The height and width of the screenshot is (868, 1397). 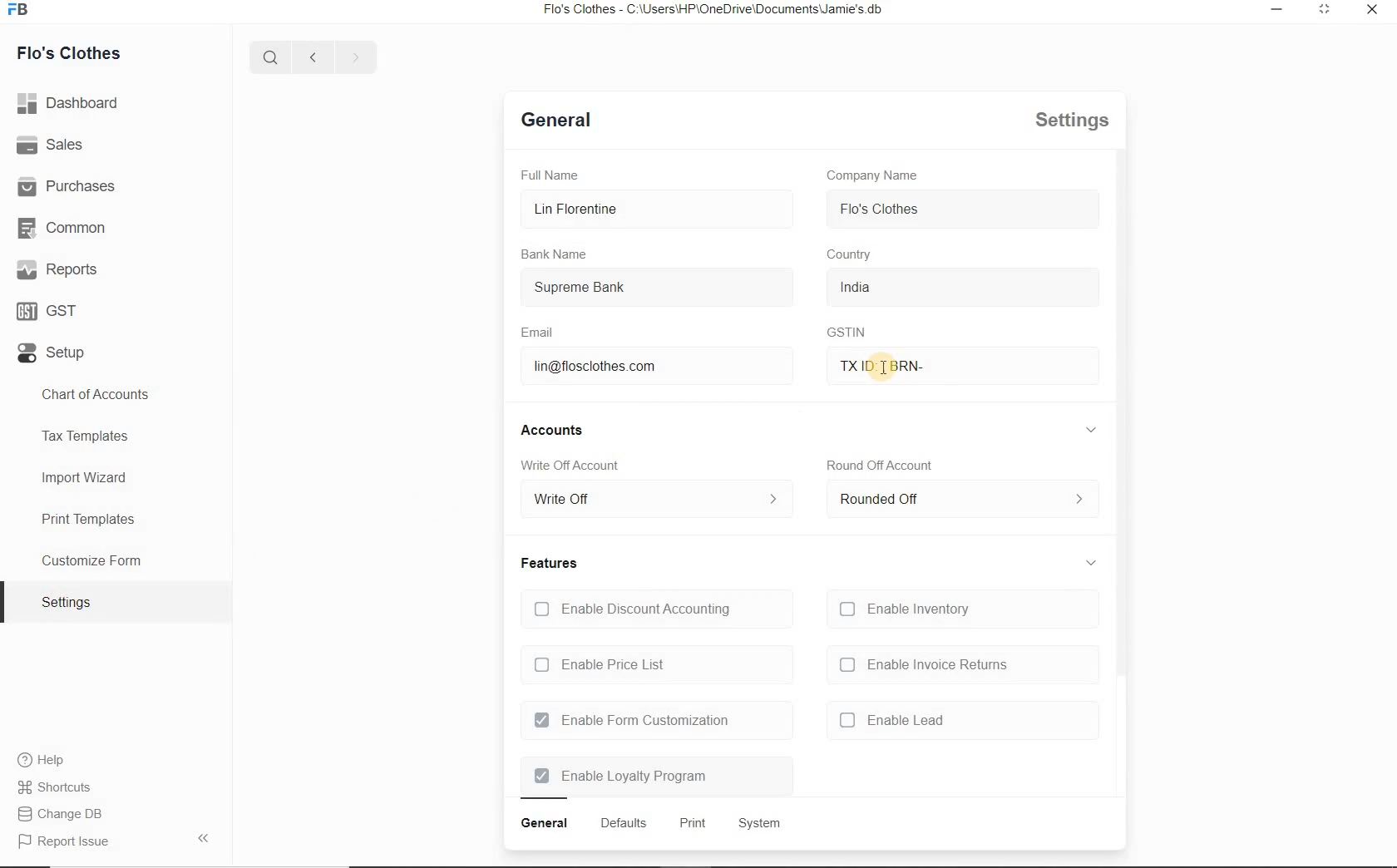 What do you see at coordinates (881, 209) in the screenshot?
I see `flo's clothes` at bounding box center [881, 209].